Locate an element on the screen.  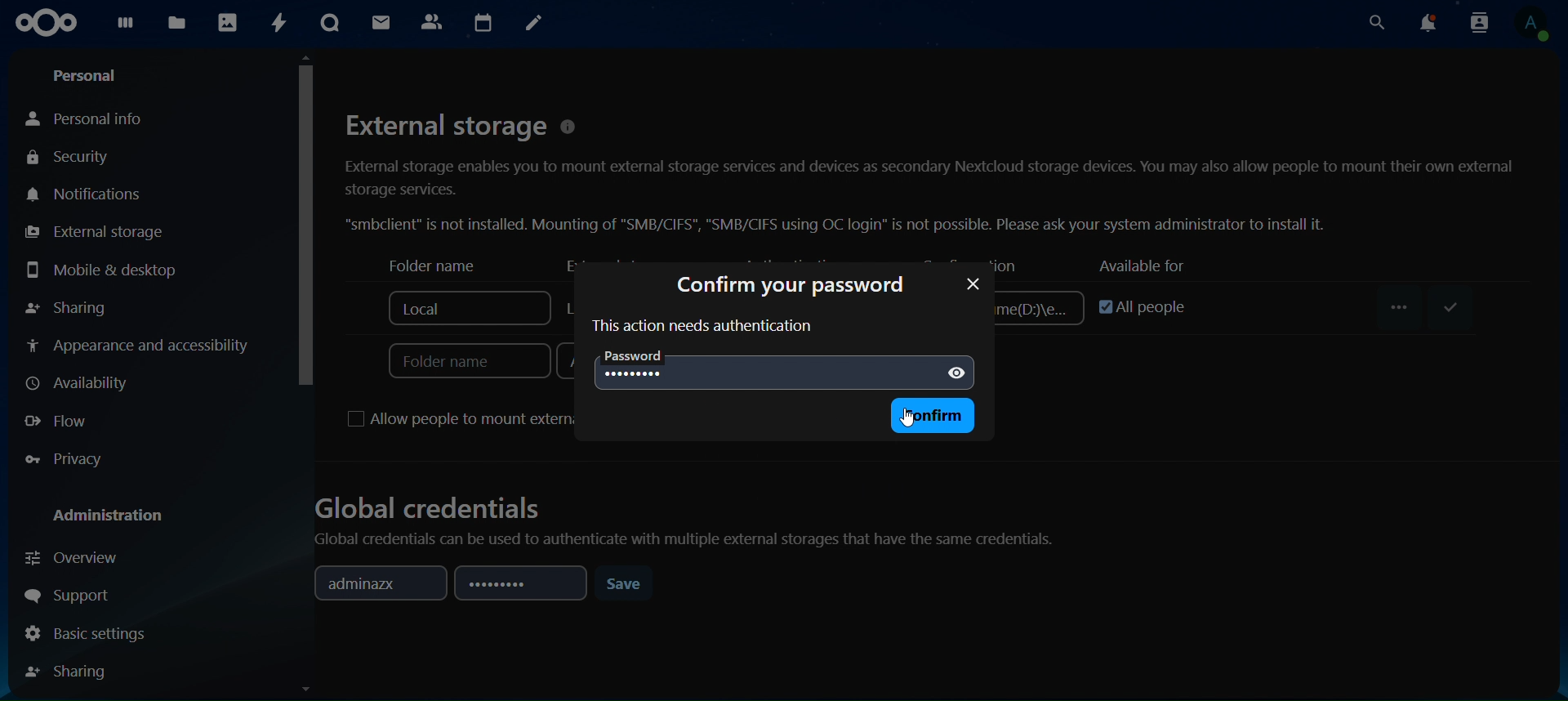
personal is located at coordinates (87, 73).